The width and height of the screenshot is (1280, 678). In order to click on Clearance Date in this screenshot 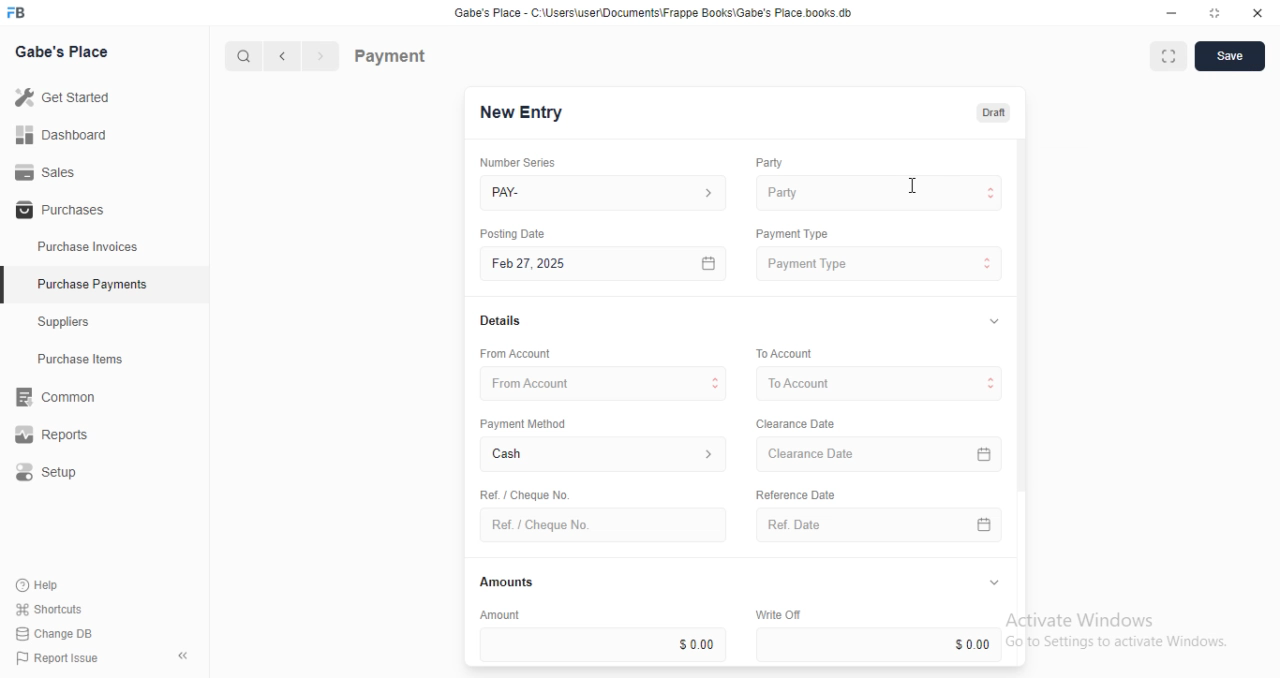, I will do `click(882, 455)`.